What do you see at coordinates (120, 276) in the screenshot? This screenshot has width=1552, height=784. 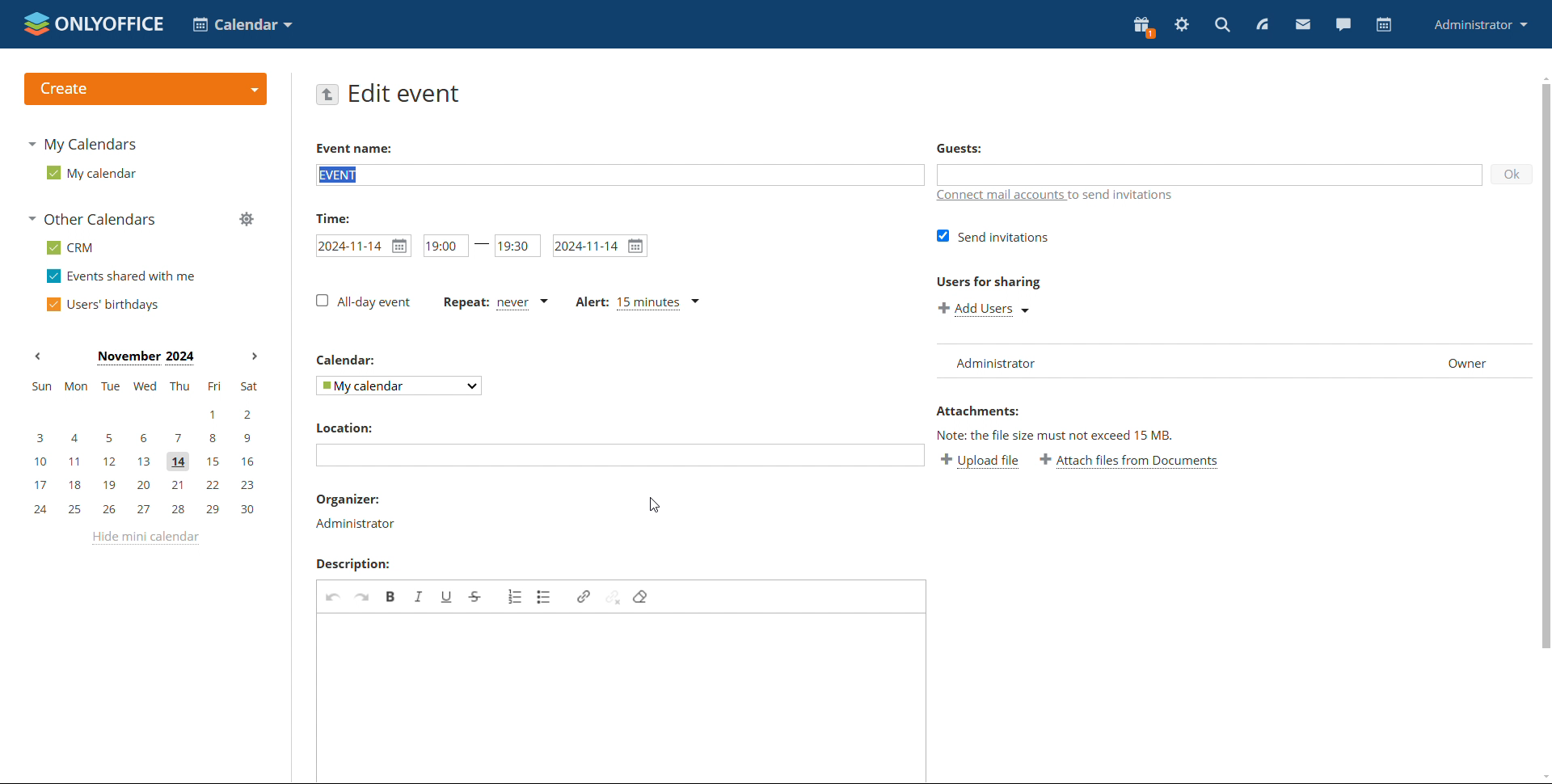 I see `events shared with me` at bounding box center [120, 276].